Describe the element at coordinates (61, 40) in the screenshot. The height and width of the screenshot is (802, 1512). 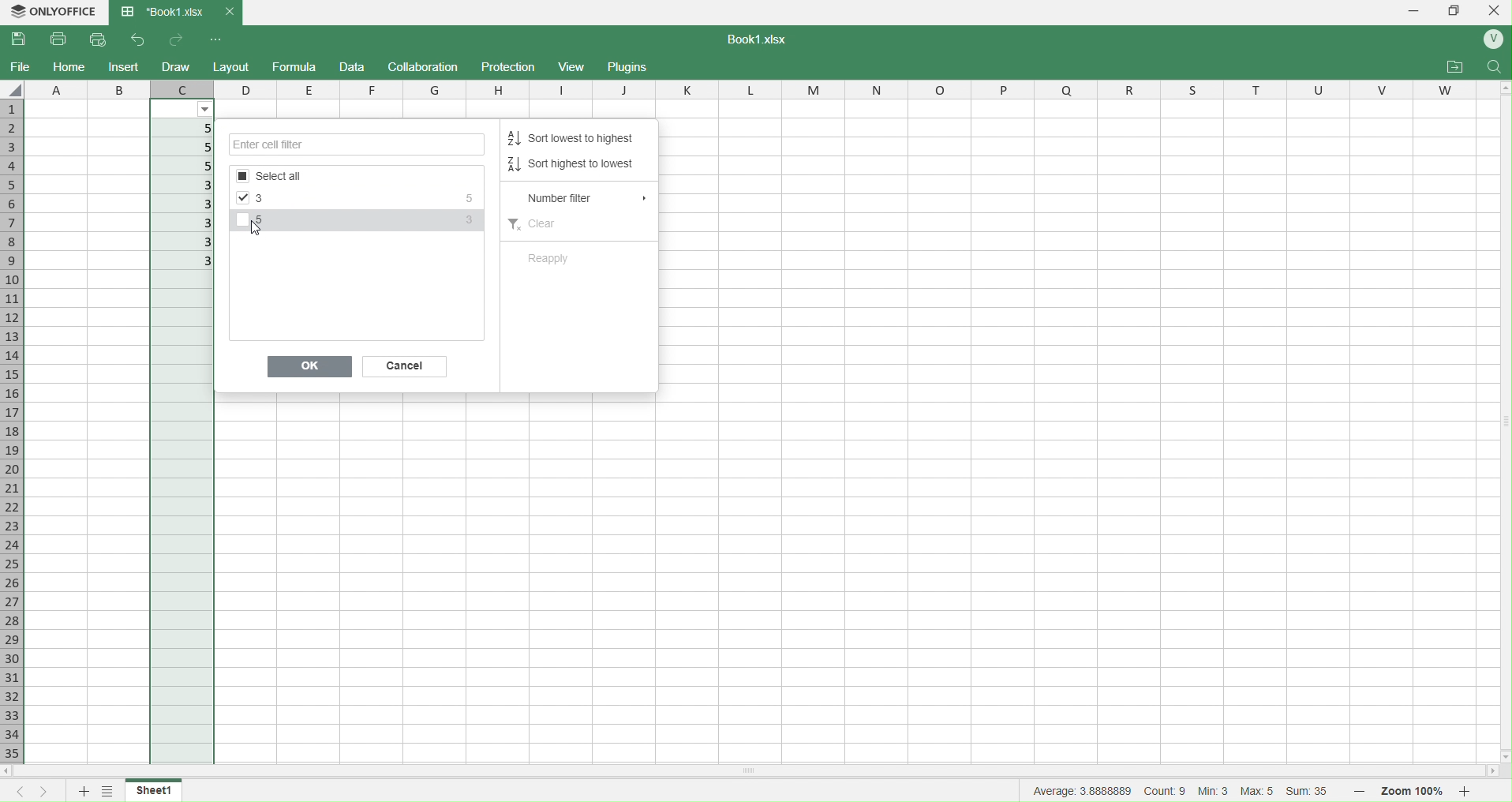
I see `Print File` at that location.